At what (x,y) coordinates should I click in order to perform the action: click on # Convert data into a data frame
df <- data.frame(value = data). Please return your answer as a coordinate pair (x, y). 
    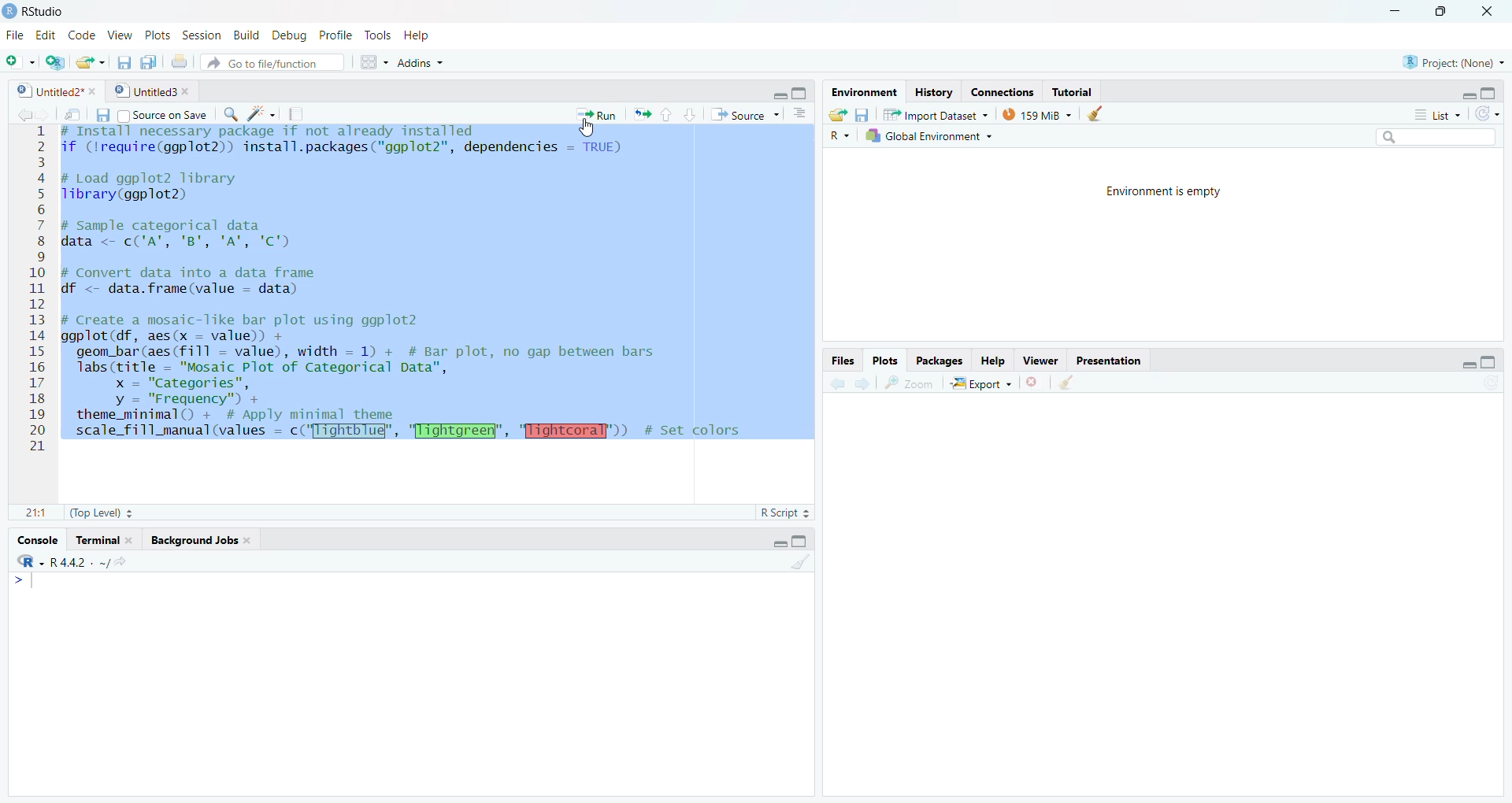
    Looking at the image, I should click on (196, 281).